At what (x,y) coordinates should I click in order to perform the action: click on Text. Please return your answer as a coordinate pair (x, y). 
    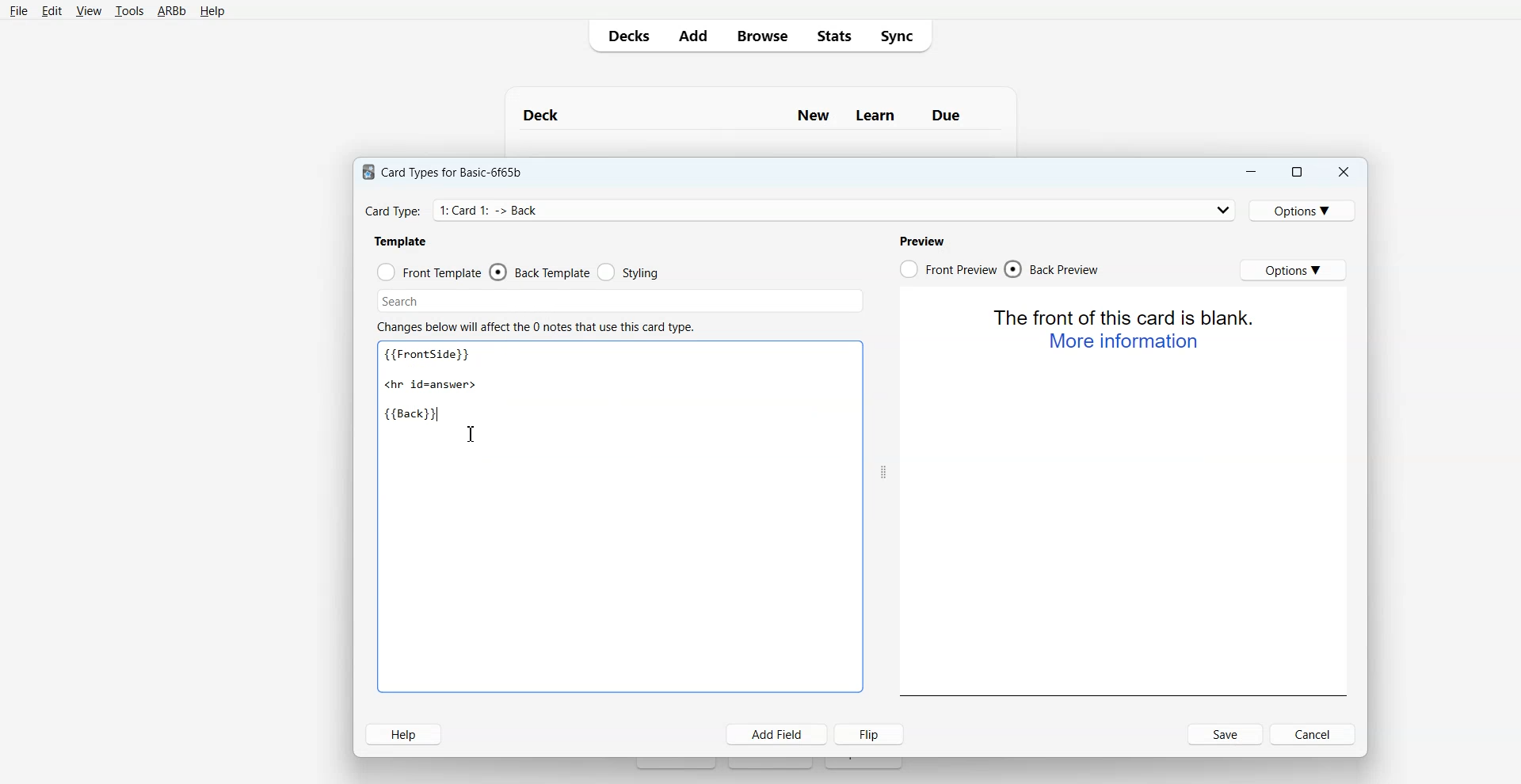
    Looking at the image, I should click on (760, 108).